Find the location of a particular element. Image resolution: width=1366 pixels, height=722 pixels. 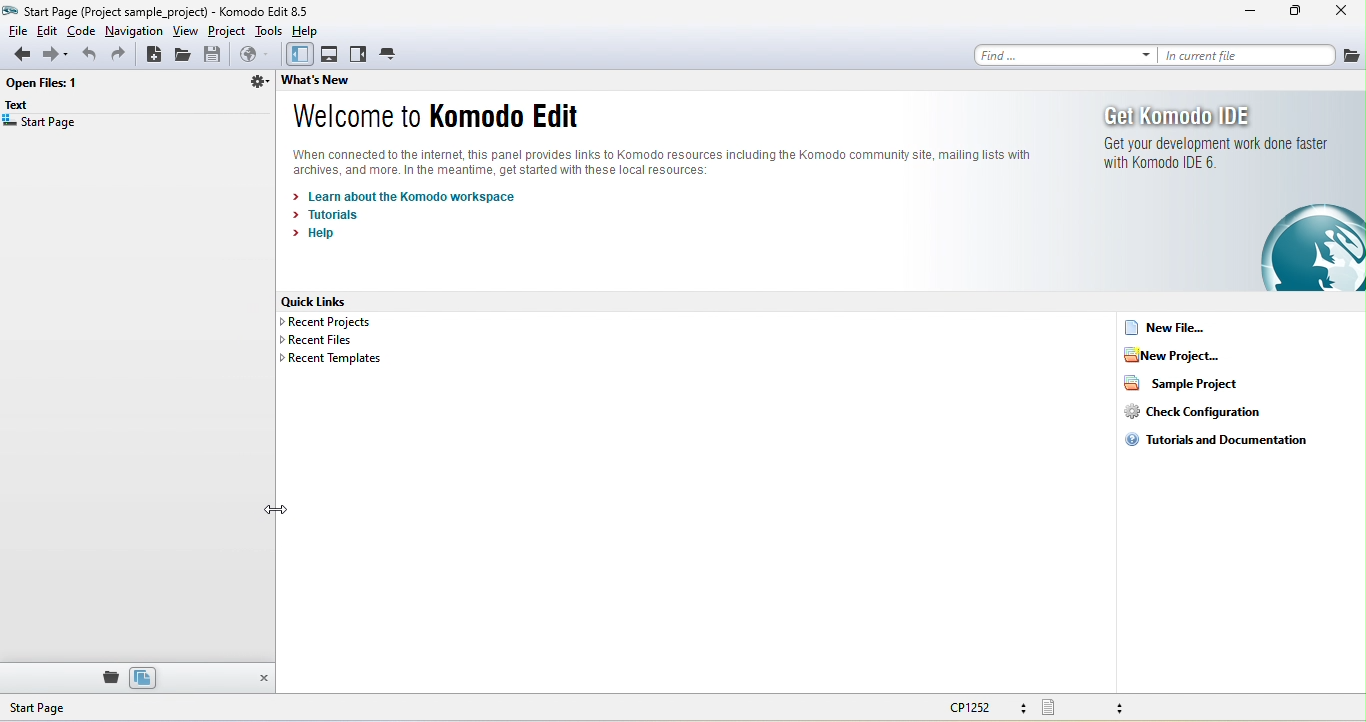

tutorials is located at coordinates (334, 215).